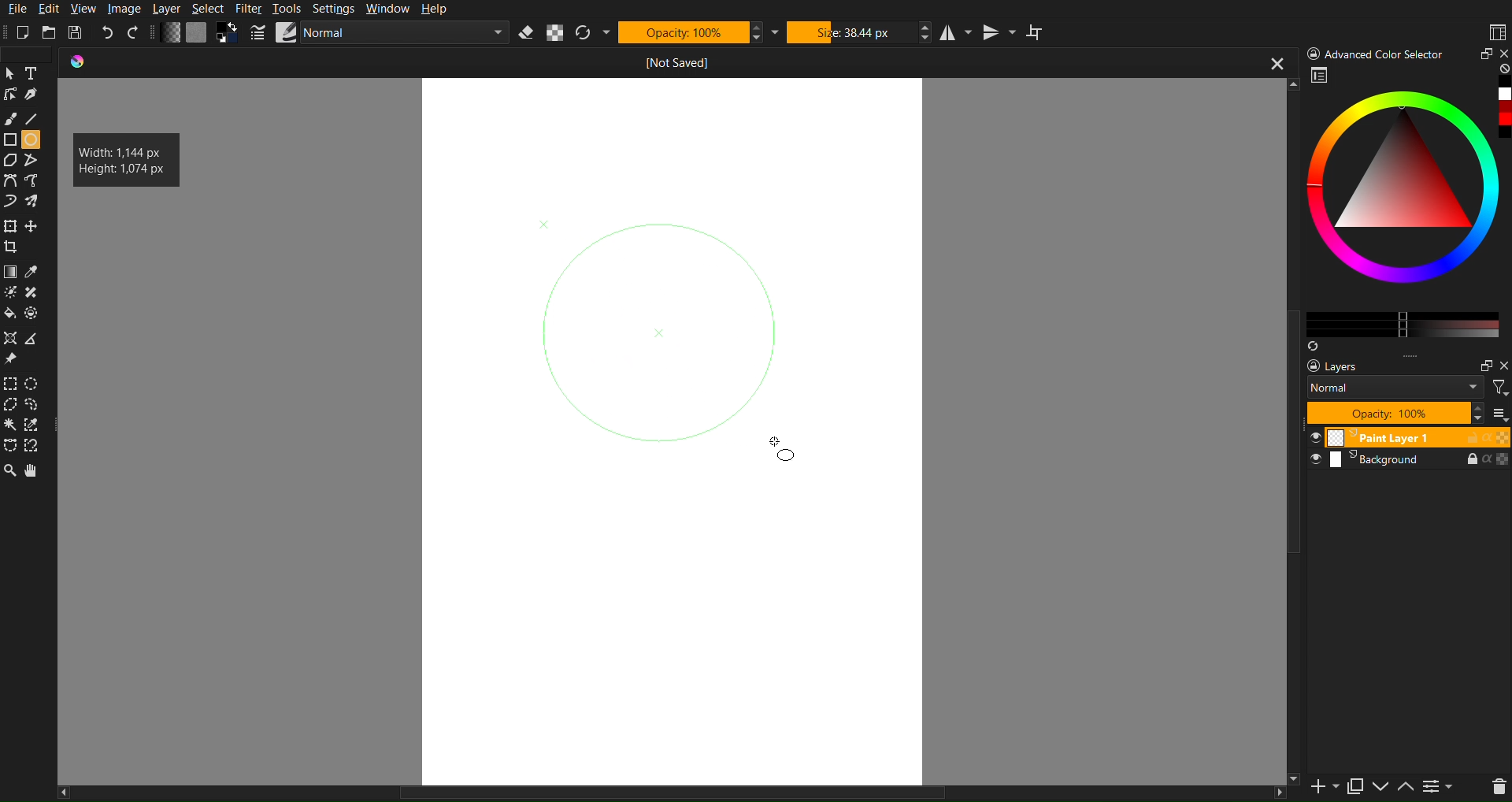  I want to click on up, so click(1406, 789).